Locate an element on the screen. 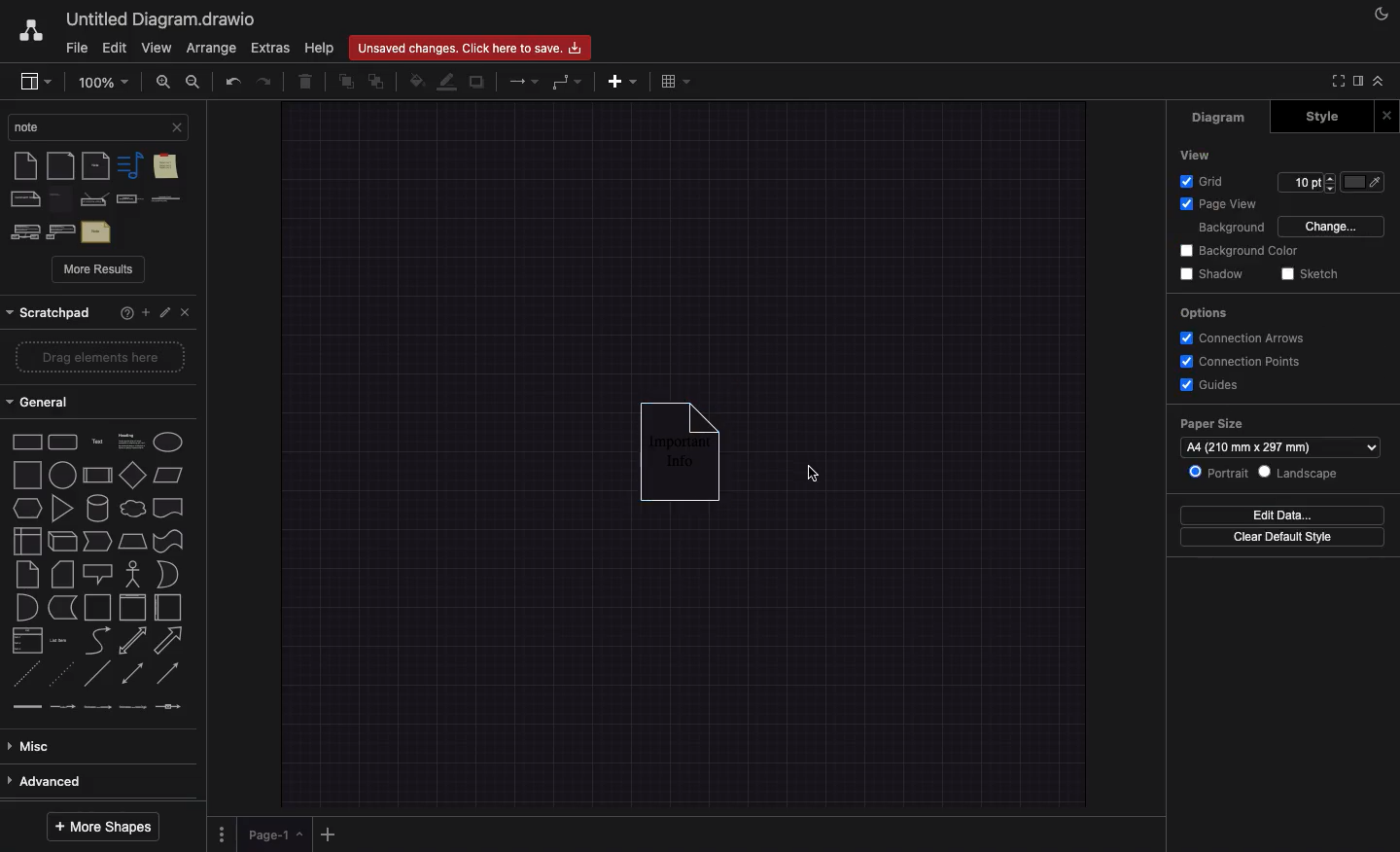  cursor is located at coordinates (813, 473).